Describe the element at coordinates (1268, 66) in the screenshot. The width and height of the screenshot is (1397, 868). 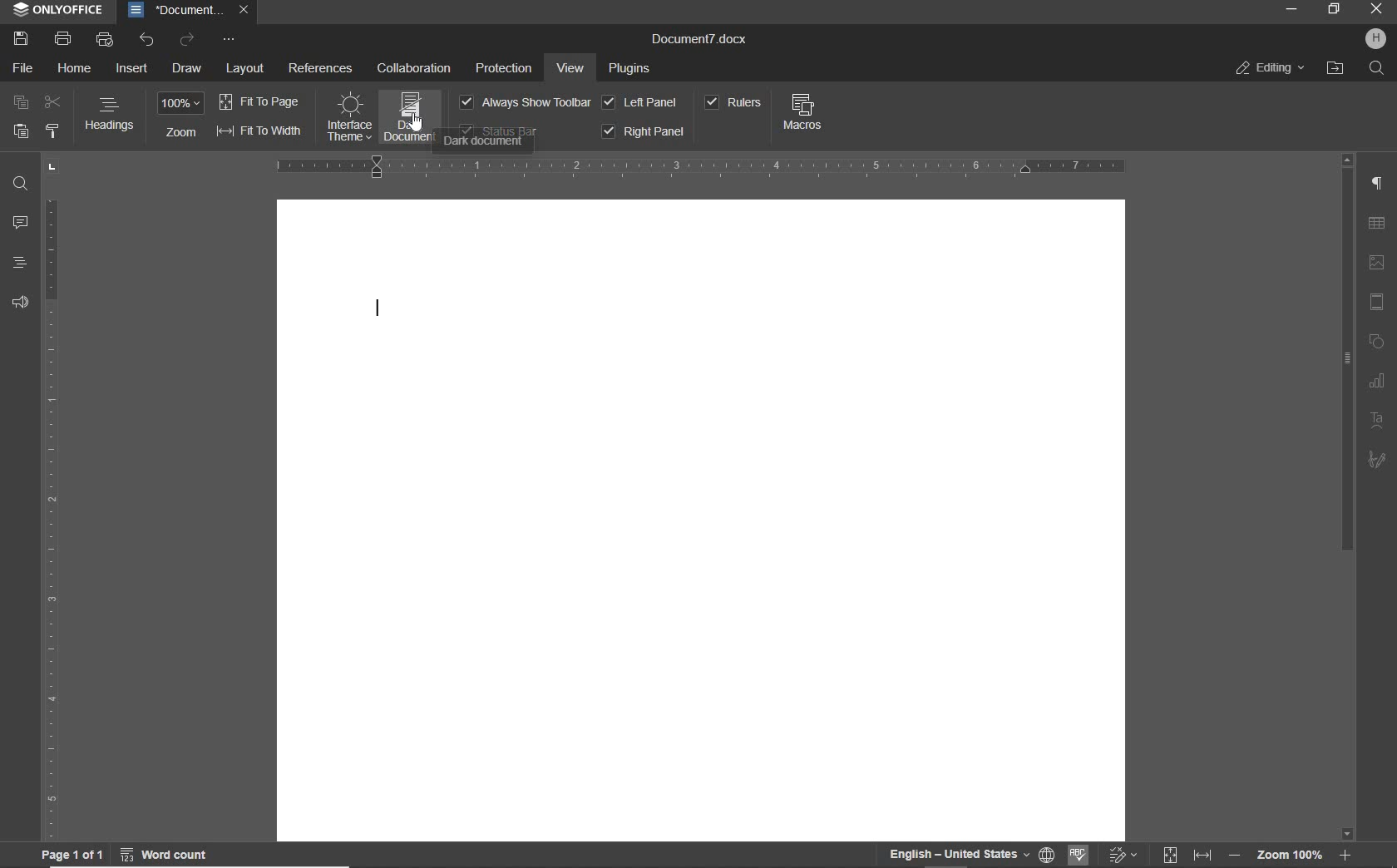
I see `EDITING` at that location.